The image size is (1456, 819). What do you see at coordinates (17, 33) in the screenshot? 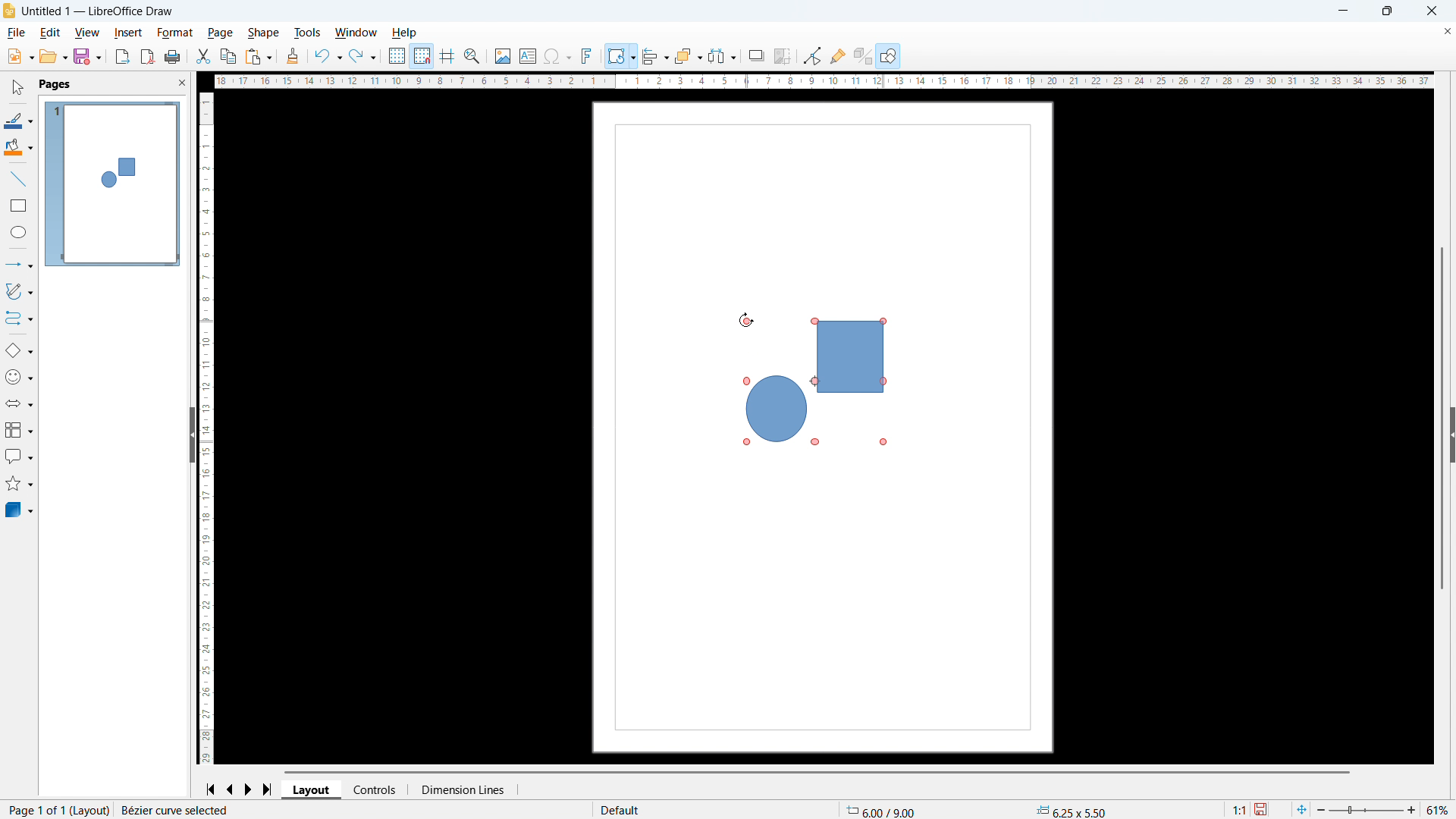
I see `file ` at bounding box center [17, 33].